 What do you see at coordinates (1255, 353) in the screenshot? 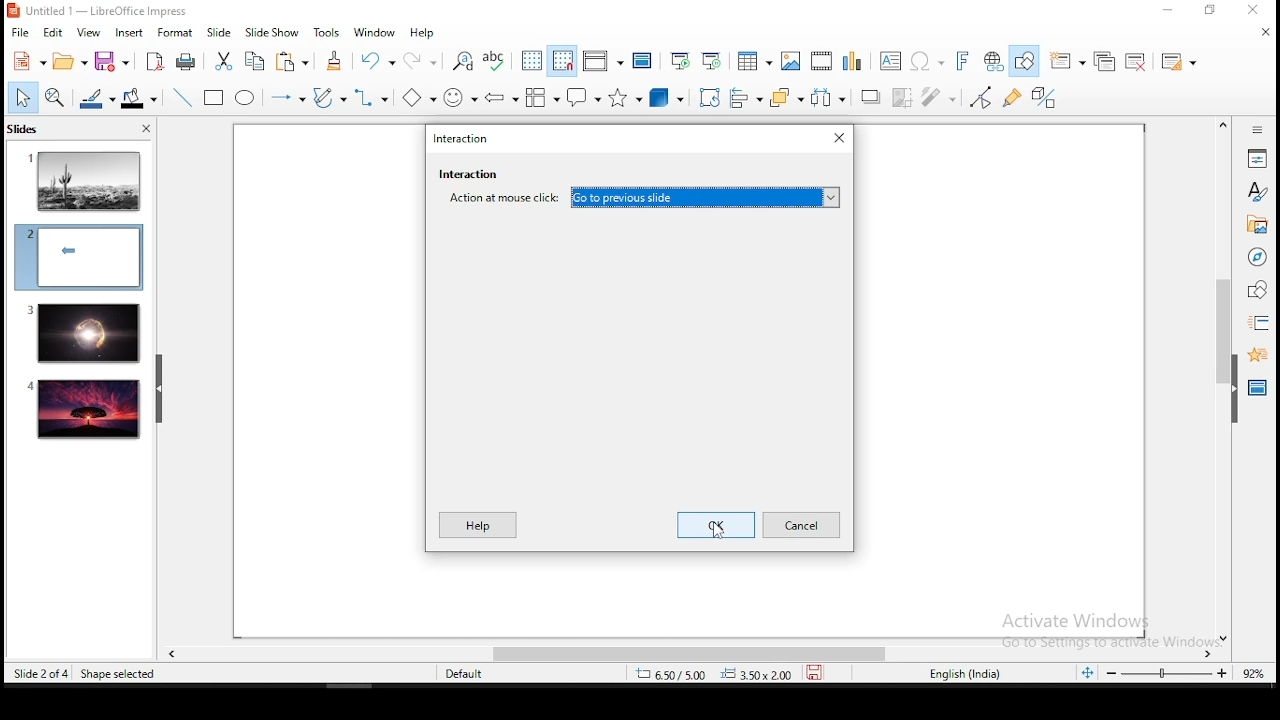
I see `animation` at bounding box center [1255, 353].